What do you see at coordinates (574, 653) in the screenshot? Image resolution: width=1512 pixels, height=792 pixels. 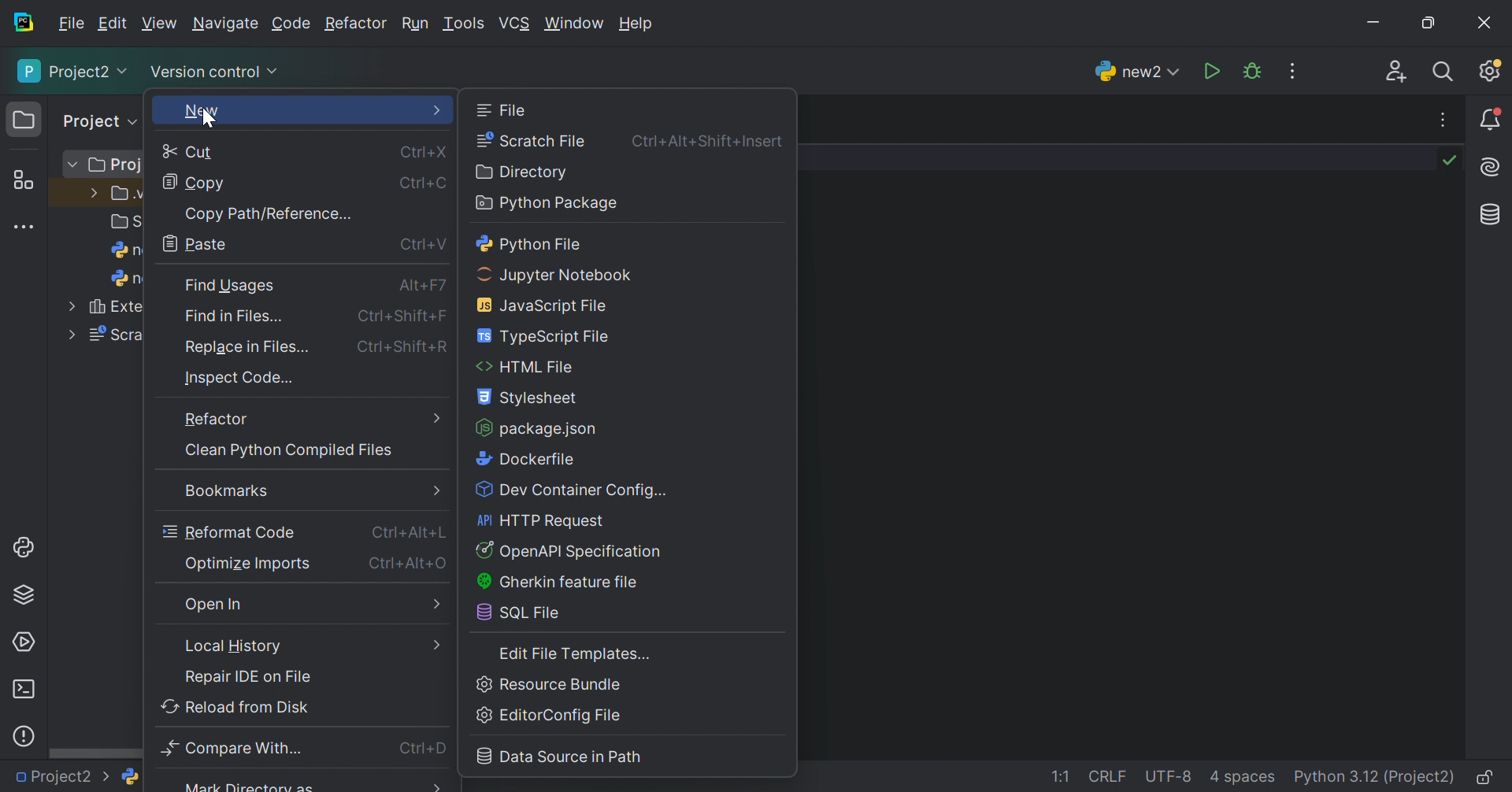 I see `Edit file templates...` at bounding box center [574, 653].